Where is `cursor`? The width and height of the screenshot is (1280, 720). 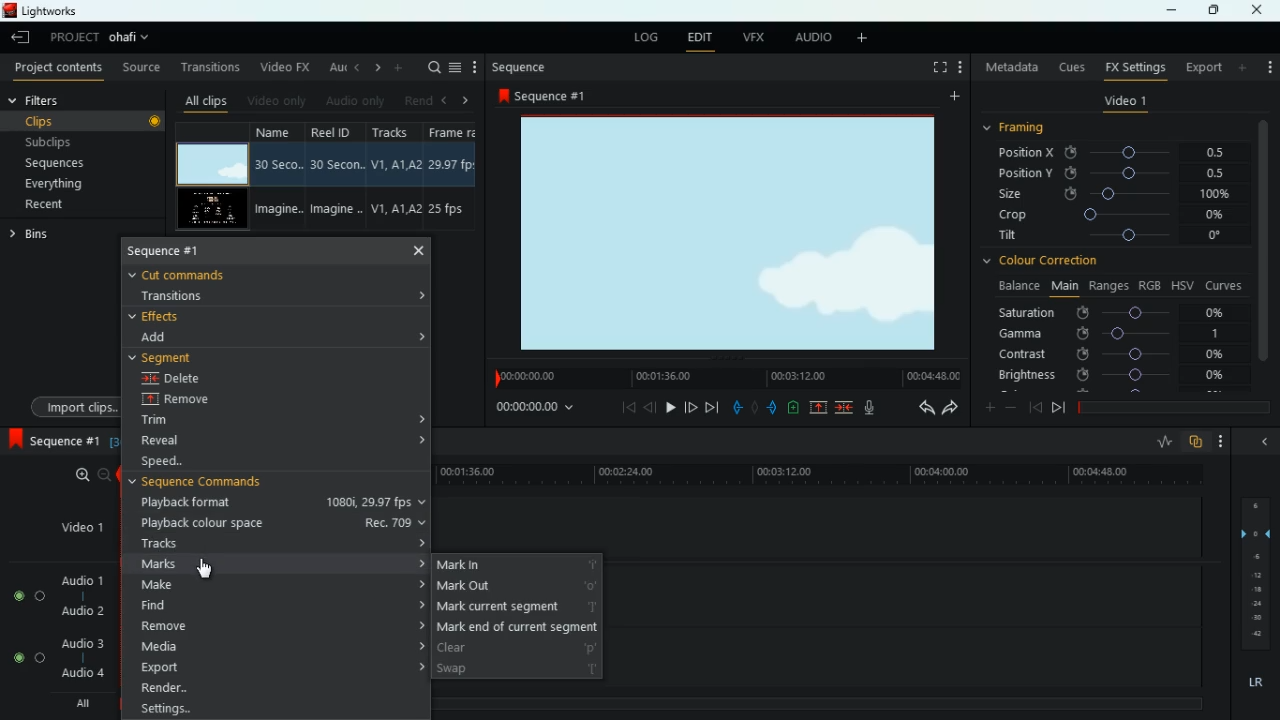 cursor is located at coordinates (204, 570).